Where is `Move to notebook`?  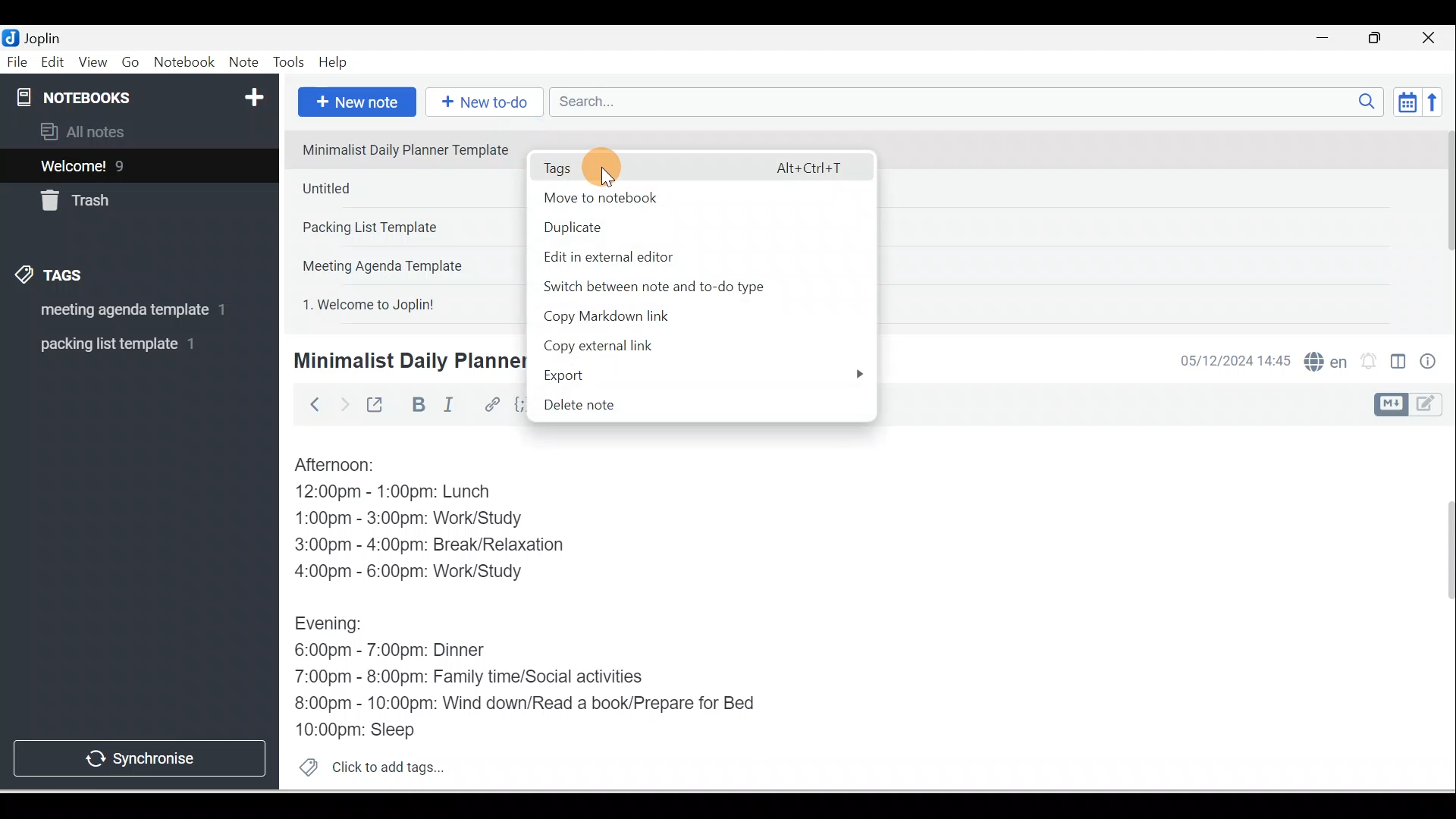
Move to notebook is located at coordinates (693, 195).